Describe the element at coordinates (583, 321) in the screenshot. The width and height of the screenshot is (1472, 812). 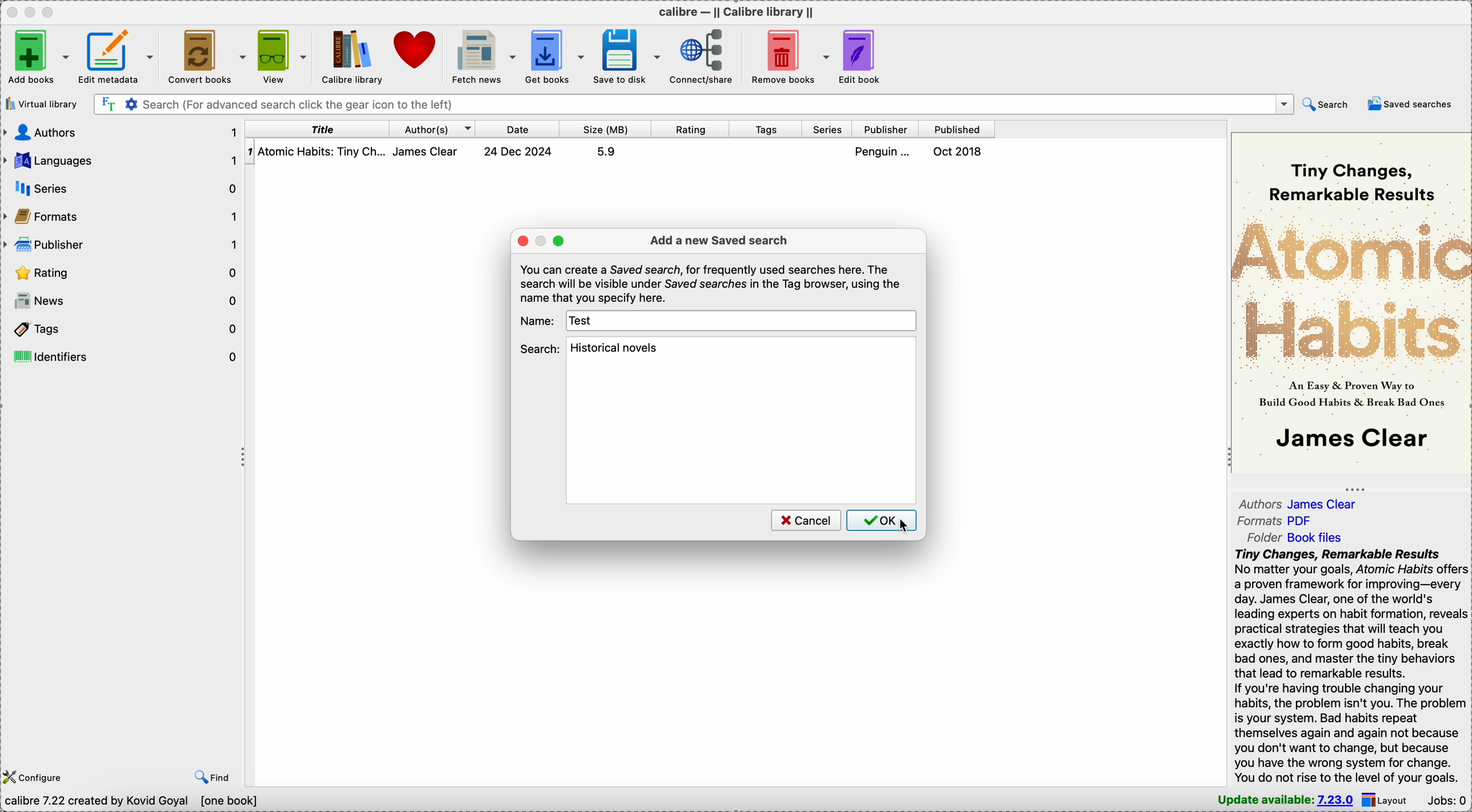
I see `test` at that location.